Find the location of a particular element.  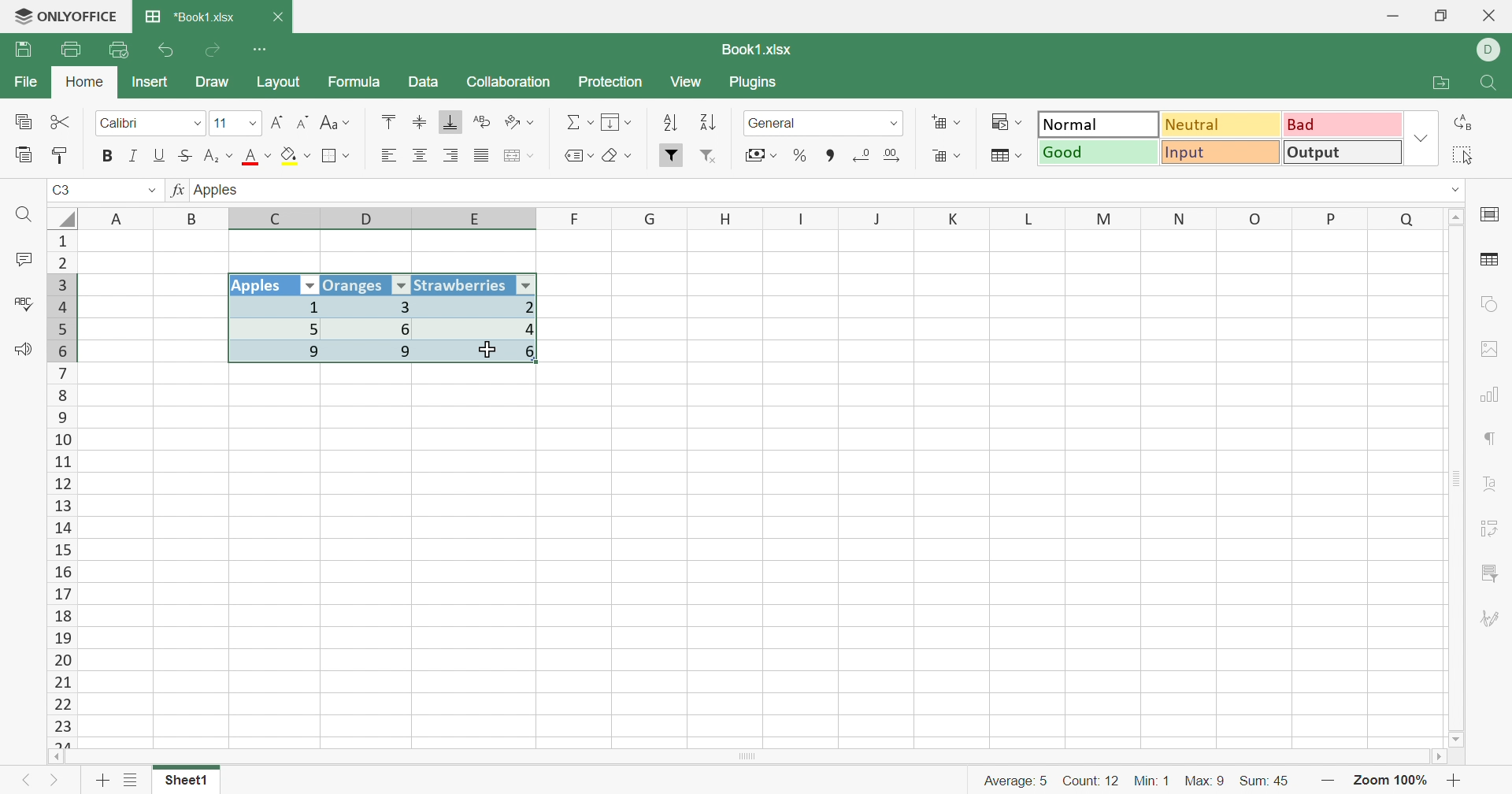

Format as table template is located at coordinates (1005, 156).